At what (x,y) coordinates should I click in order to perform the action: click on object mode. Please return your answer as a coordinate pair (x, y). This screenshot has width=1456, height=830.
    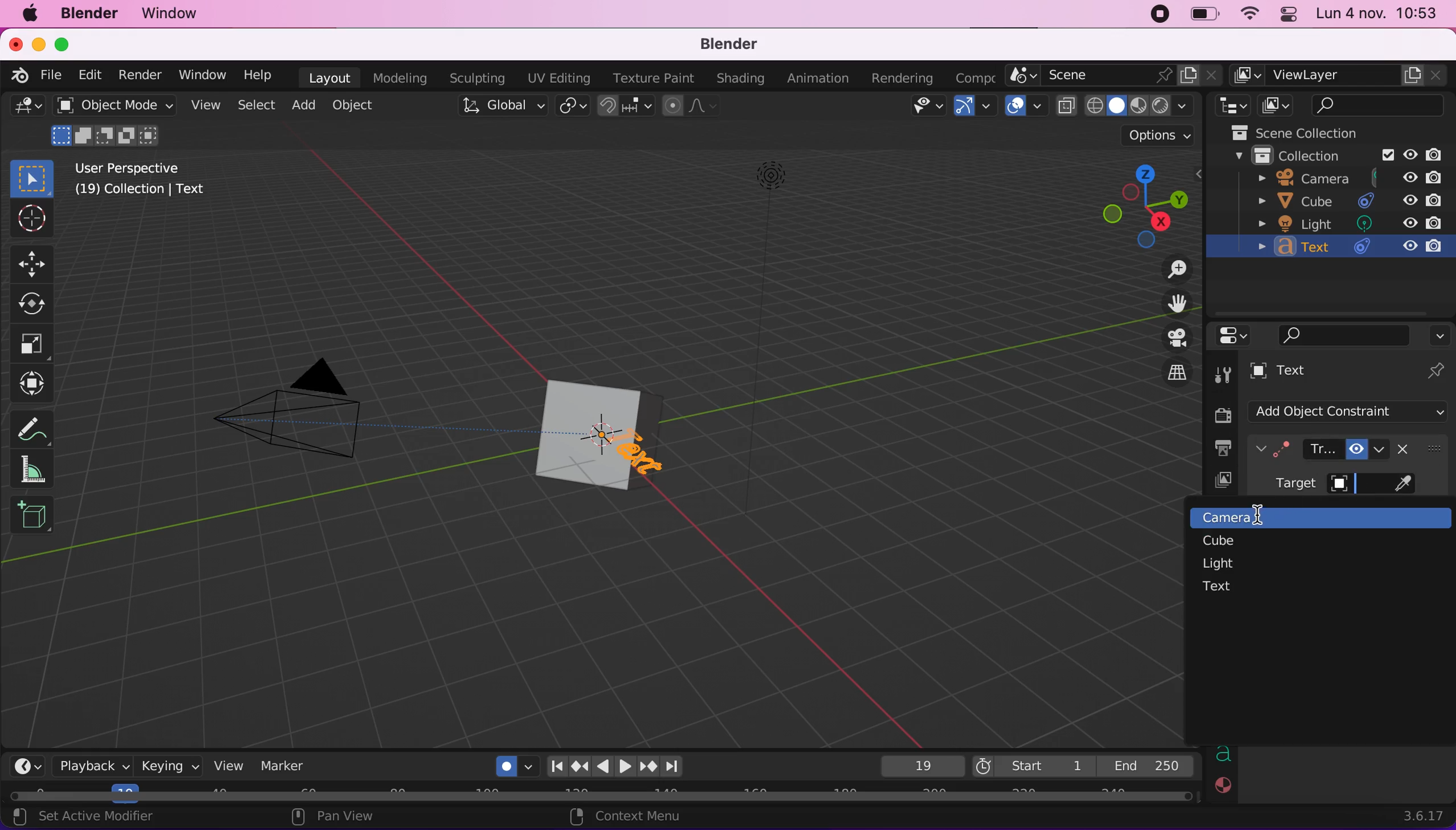
    Looking at the image, I should click on (116, 124).